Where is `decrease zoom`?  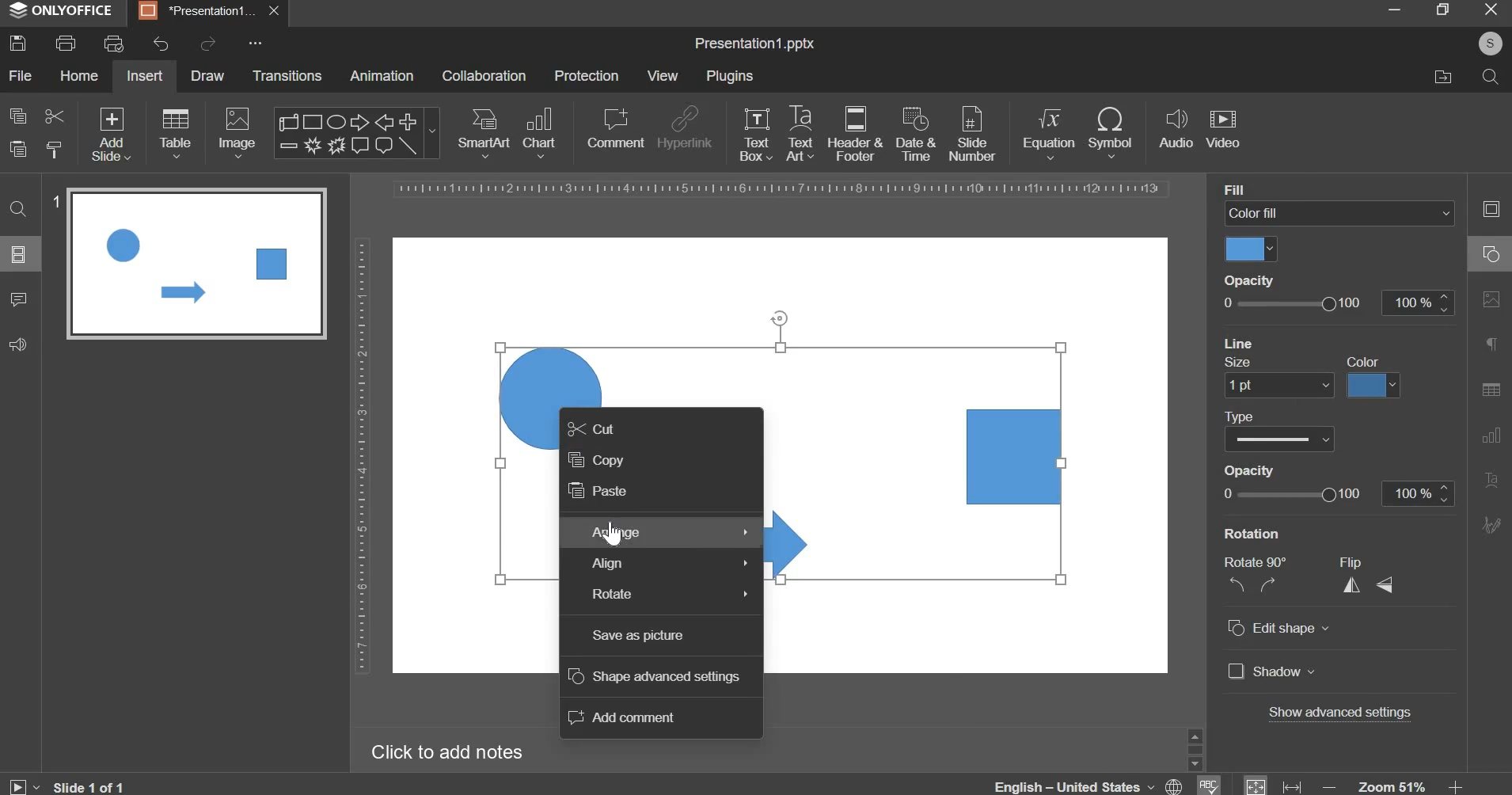 decrease zoom is located at coordinates (1330, 786).